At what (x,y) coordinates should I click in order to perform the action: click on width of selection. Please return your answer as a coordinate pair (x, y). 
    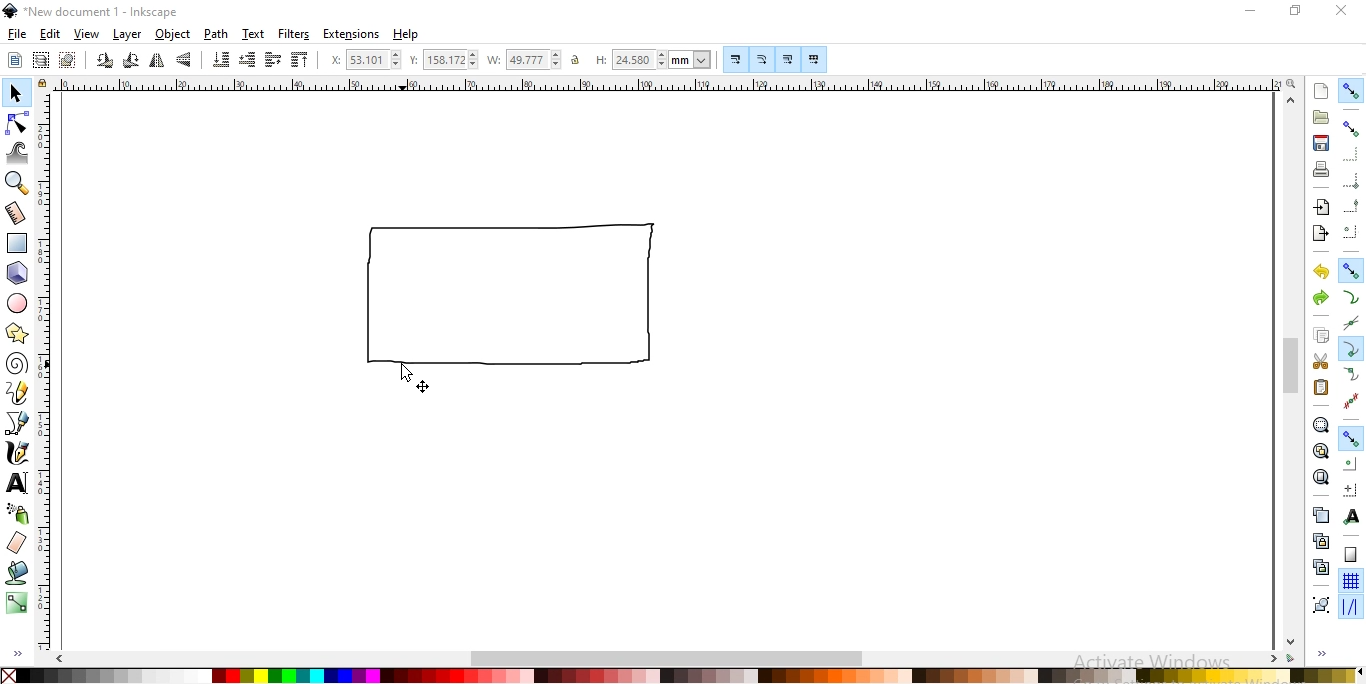
    Looking at the image, I should click on (526, 59).